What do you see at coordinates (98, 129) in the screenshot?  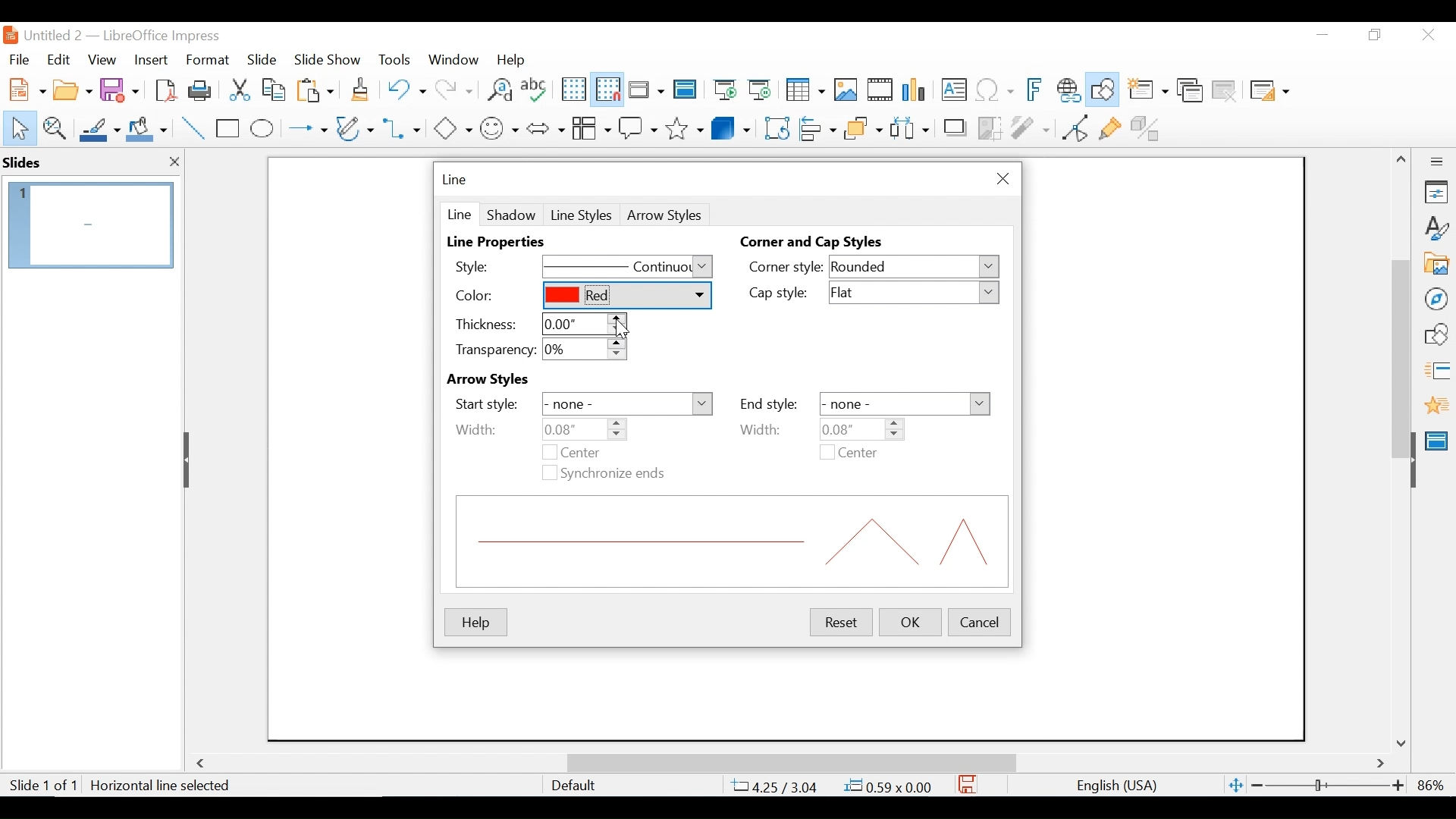 I see `Line Color` at bounding box center [98, 129].